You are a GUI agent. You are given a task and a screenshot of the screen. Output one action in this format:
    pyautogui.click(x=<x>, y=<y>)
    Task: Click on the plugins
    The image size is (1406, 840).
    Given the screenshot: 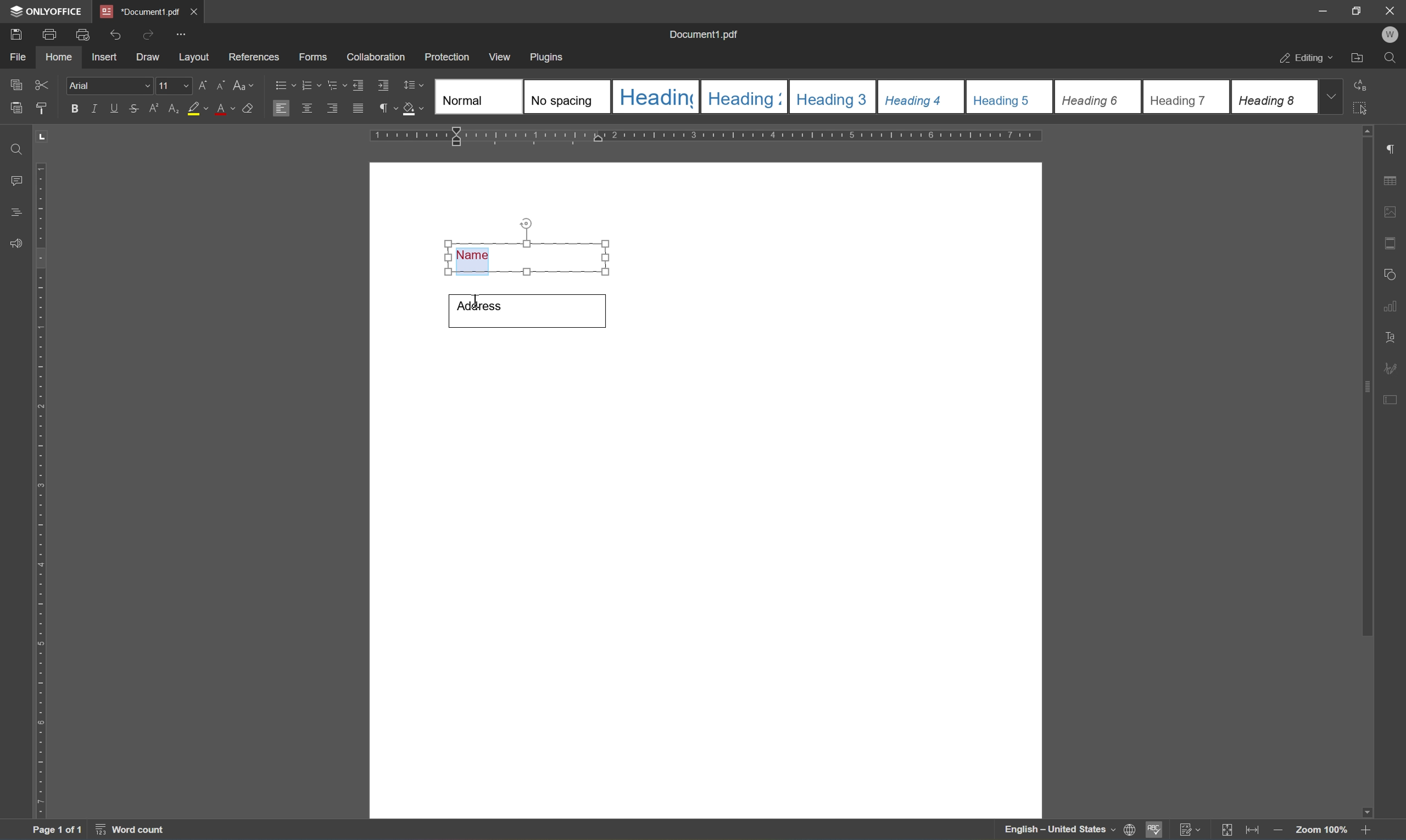 What is the action you would take?
    pyautogui.click(x=551, y=56)
    